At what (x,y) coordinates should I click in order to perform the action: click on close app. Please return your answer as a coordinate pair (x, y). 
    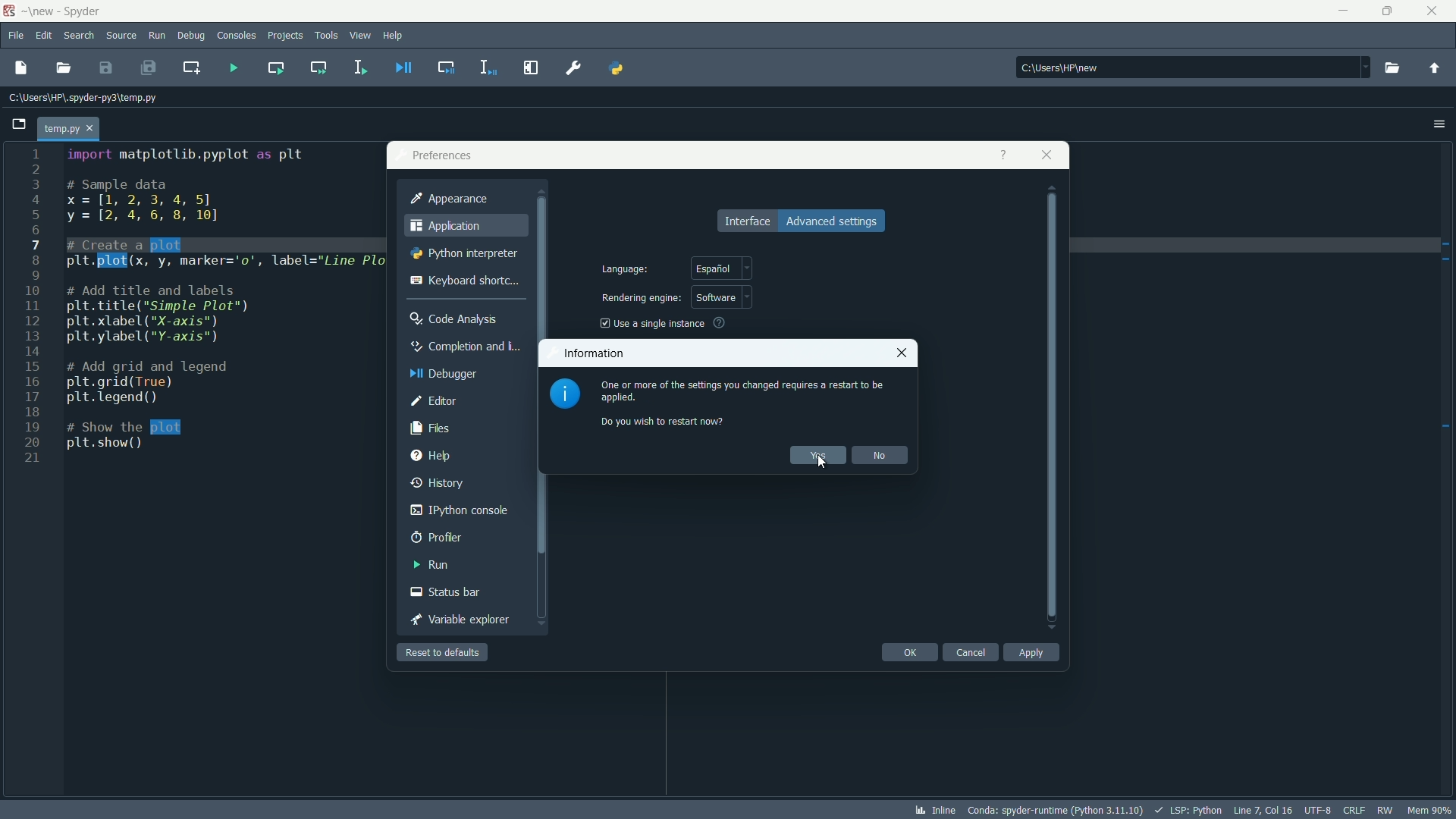
    Looking at the image, I should click on (1436, 11).